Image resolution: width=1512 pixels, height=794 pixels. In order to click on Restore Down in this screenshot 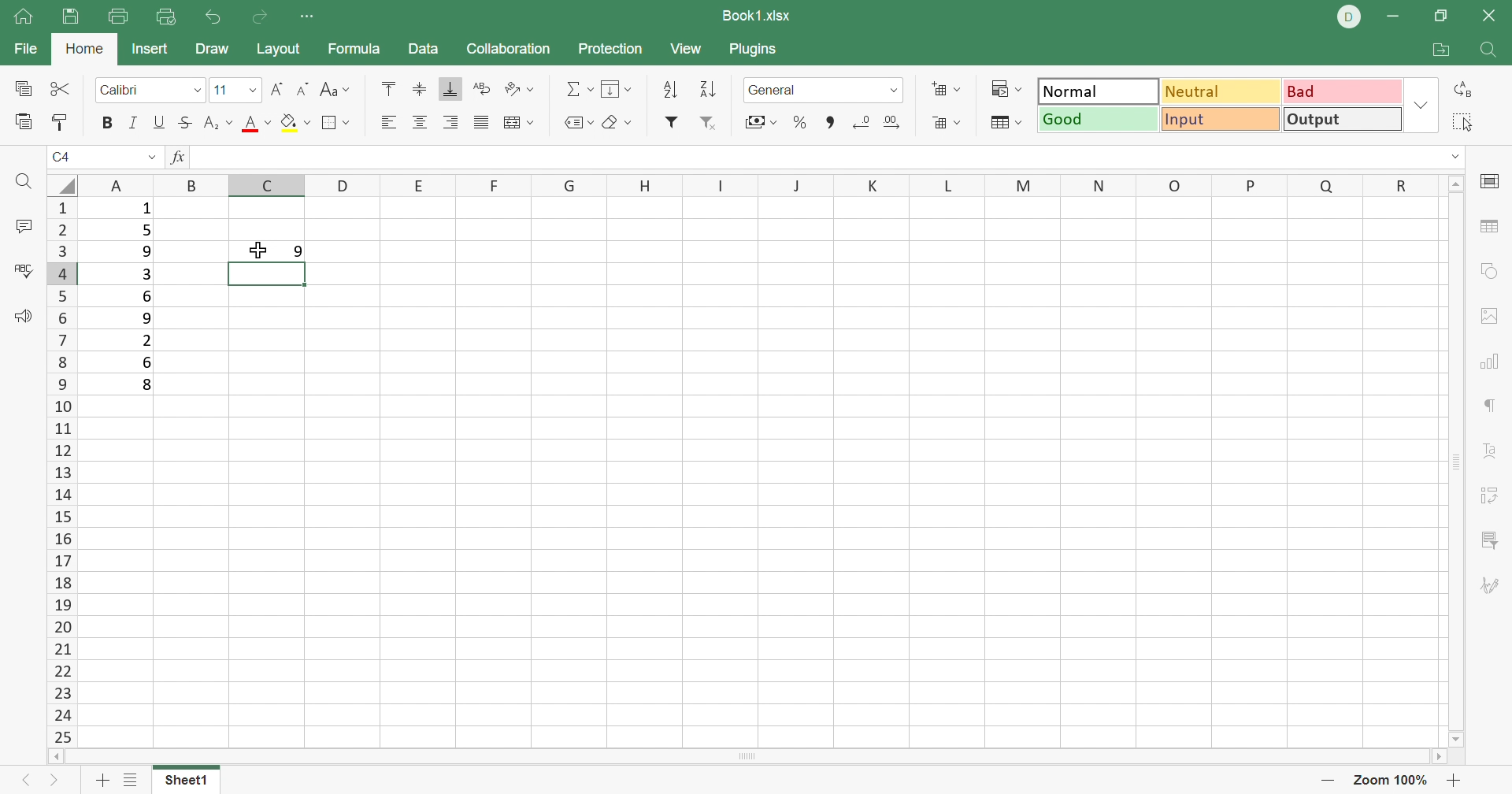, I will do `click(1442, 17)`.